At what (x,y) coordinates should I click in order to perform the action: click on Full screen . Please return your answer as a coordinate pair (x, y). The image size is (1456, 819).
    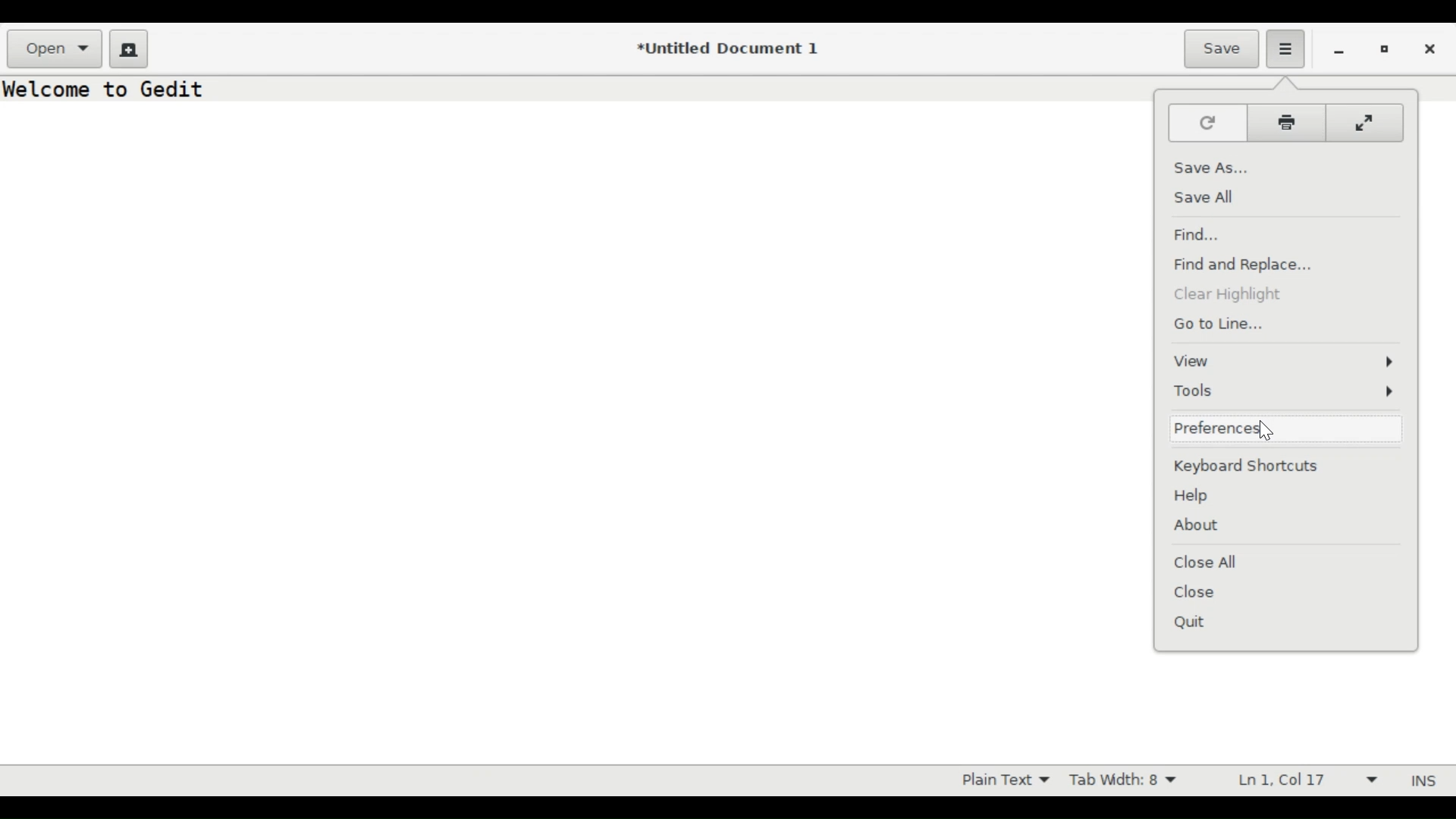
    Looking at the image, I should click on (1364, 122).